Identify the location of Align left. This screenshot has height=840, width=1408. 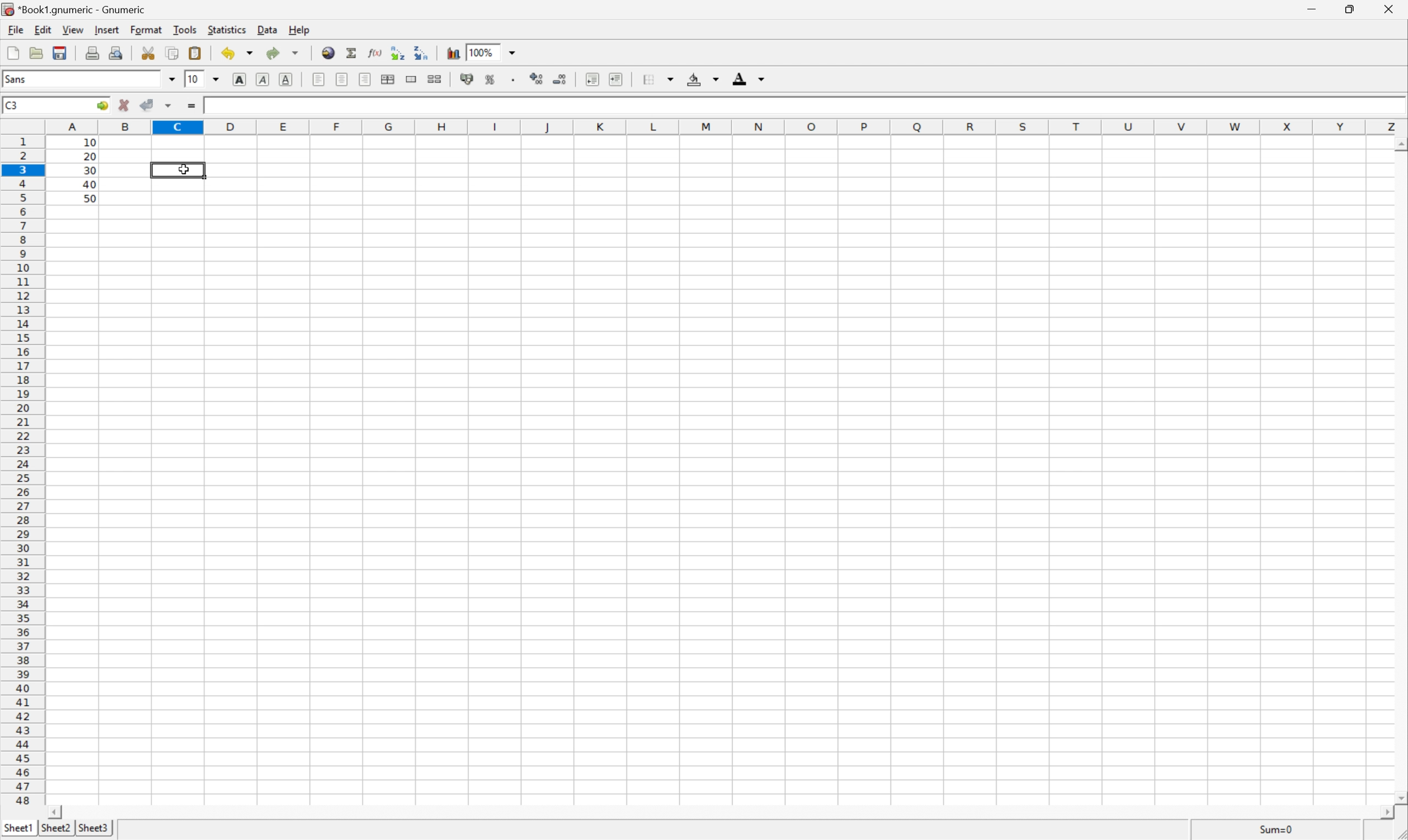
(318, 78).